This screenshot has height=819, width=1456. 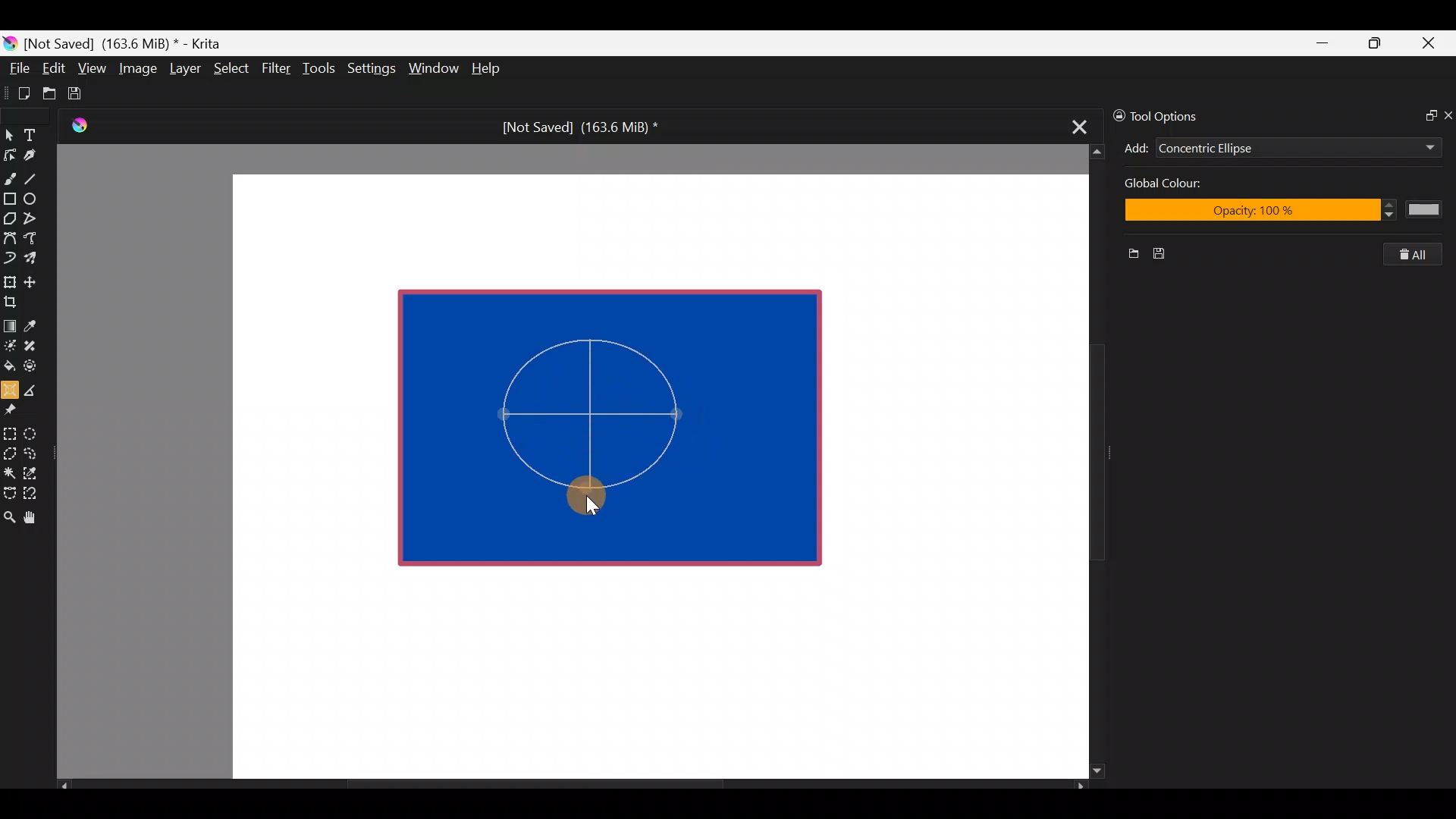 I want to click on Pan tool, so click(x=36, y=518).